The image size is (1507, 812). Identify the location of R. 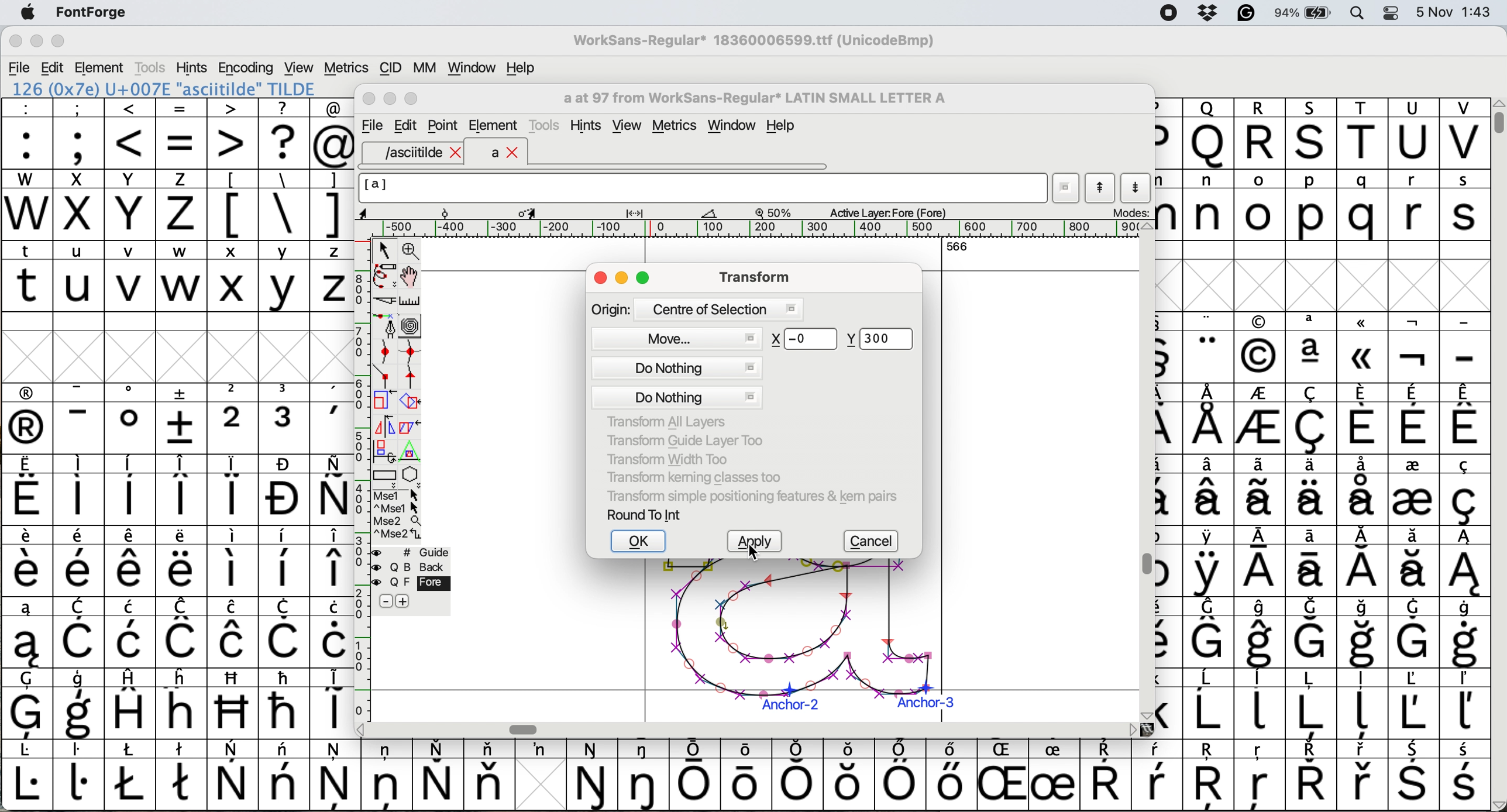
(1260, 134).